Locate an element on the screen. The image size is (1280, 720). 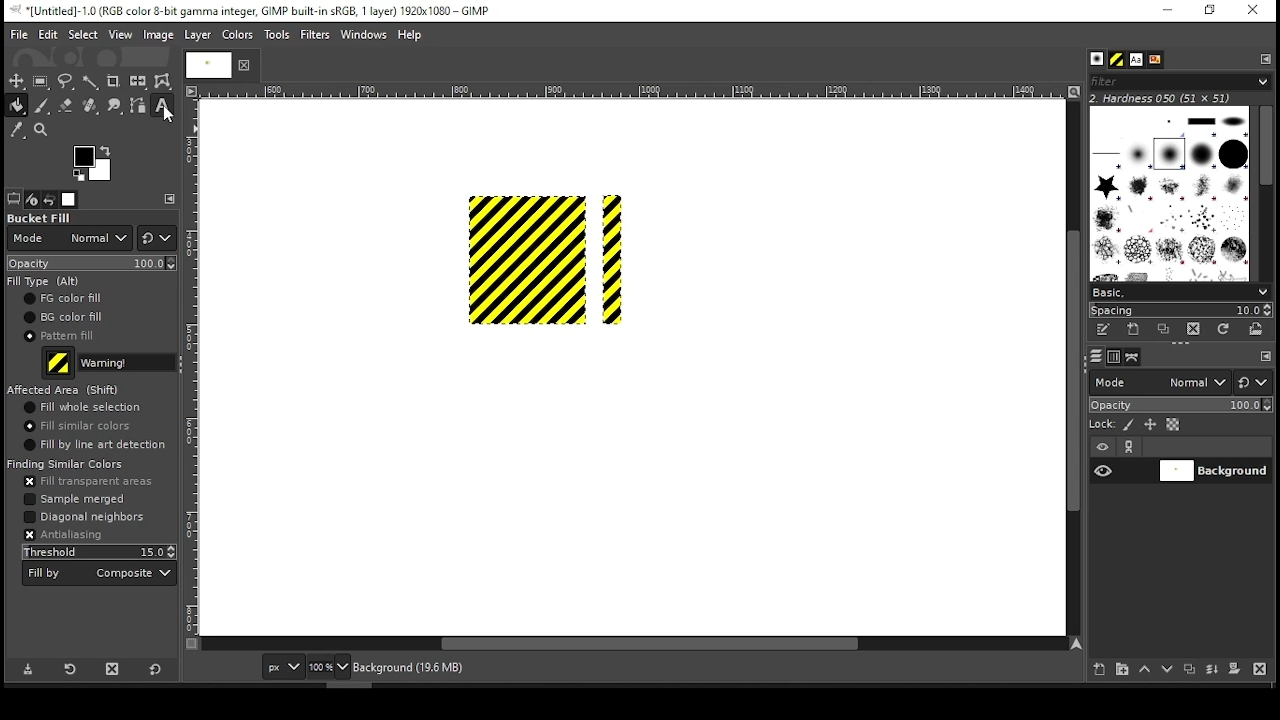
duplicate this brush is located at coordinates (1169, 329).